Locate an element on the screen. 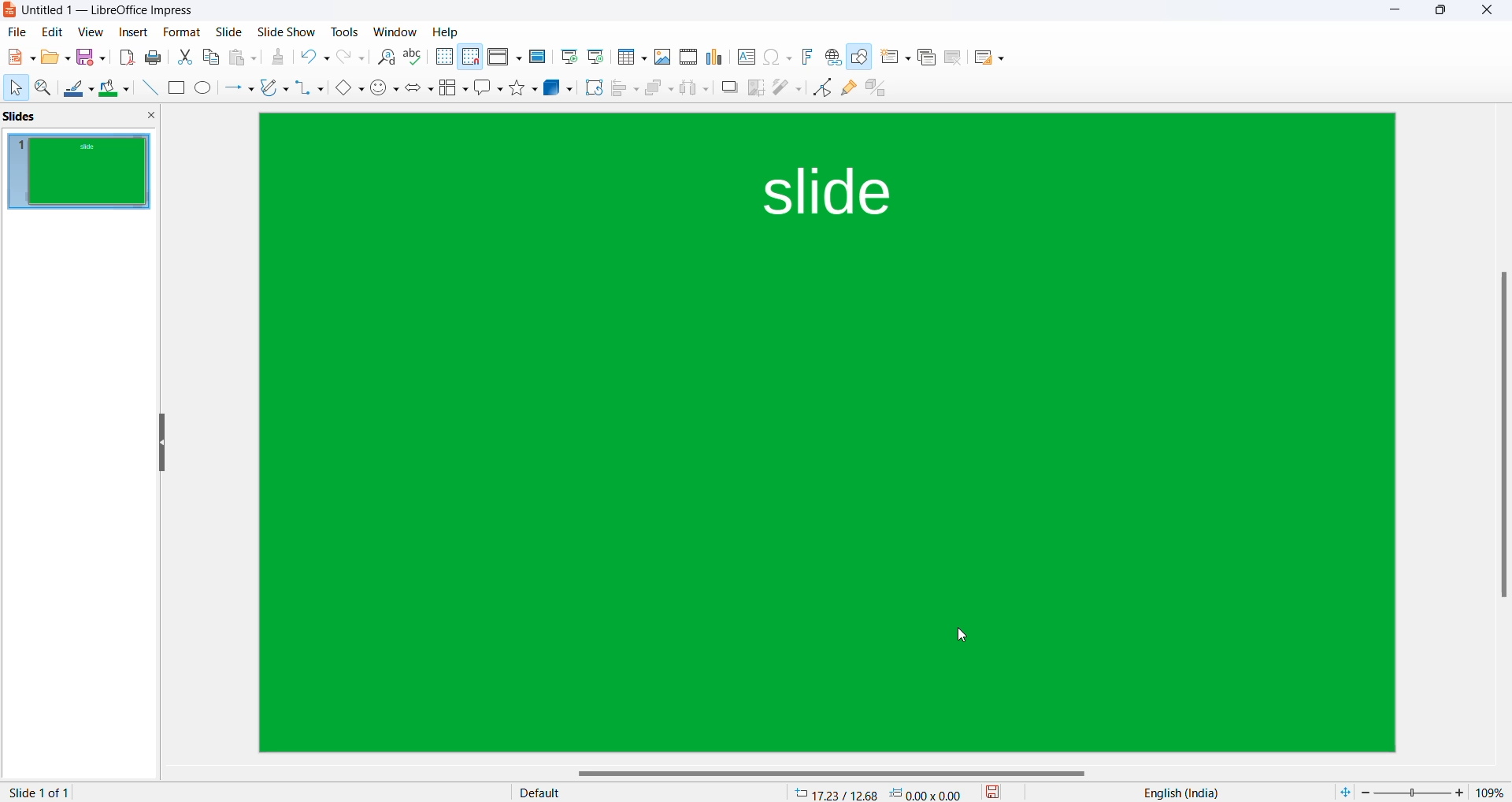 The image size is (1512, 802). arrange is located at coordinates (658, 91).